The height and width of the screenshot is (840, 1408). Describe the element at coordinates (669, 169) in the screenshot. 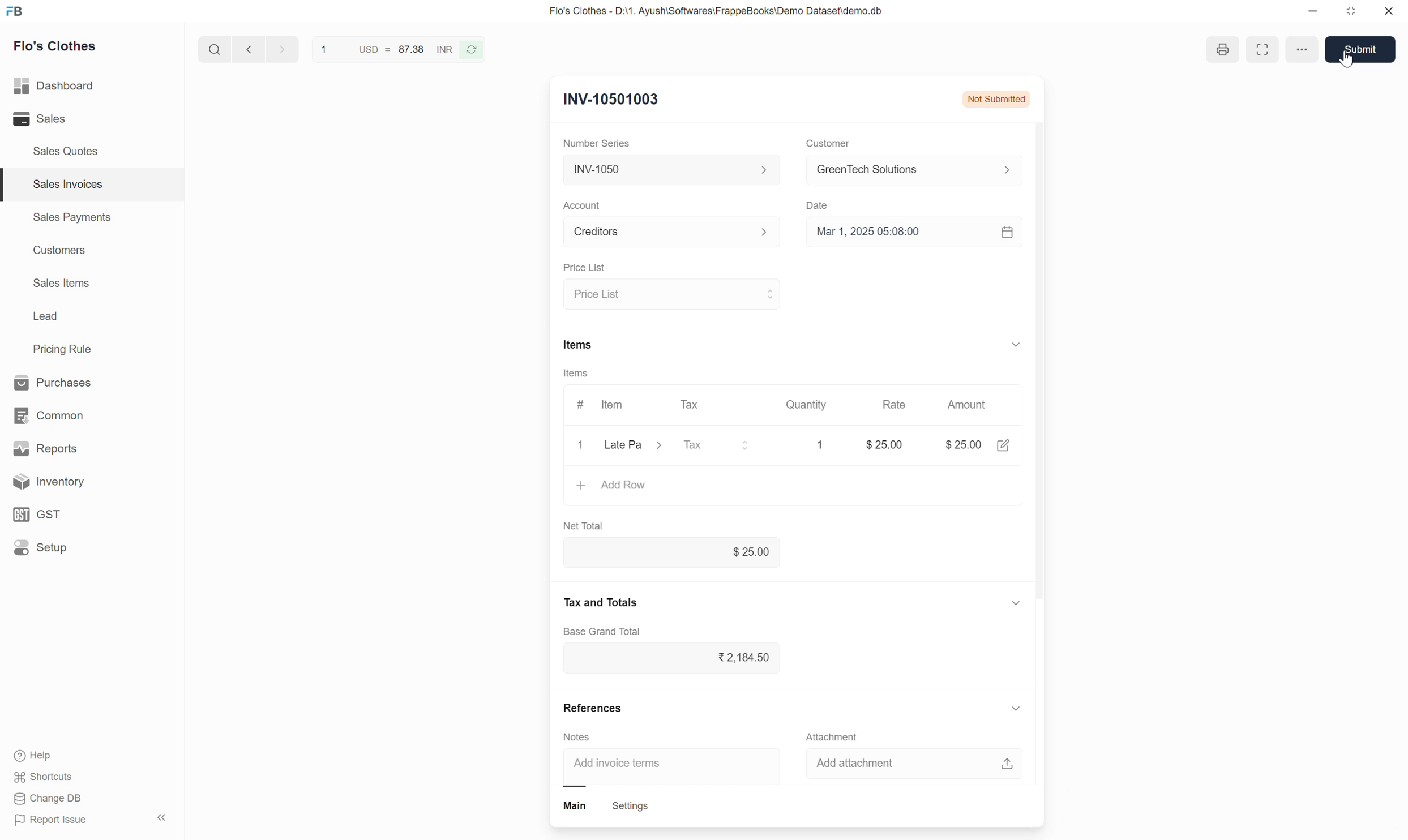

I see `Select Number series` at that location.